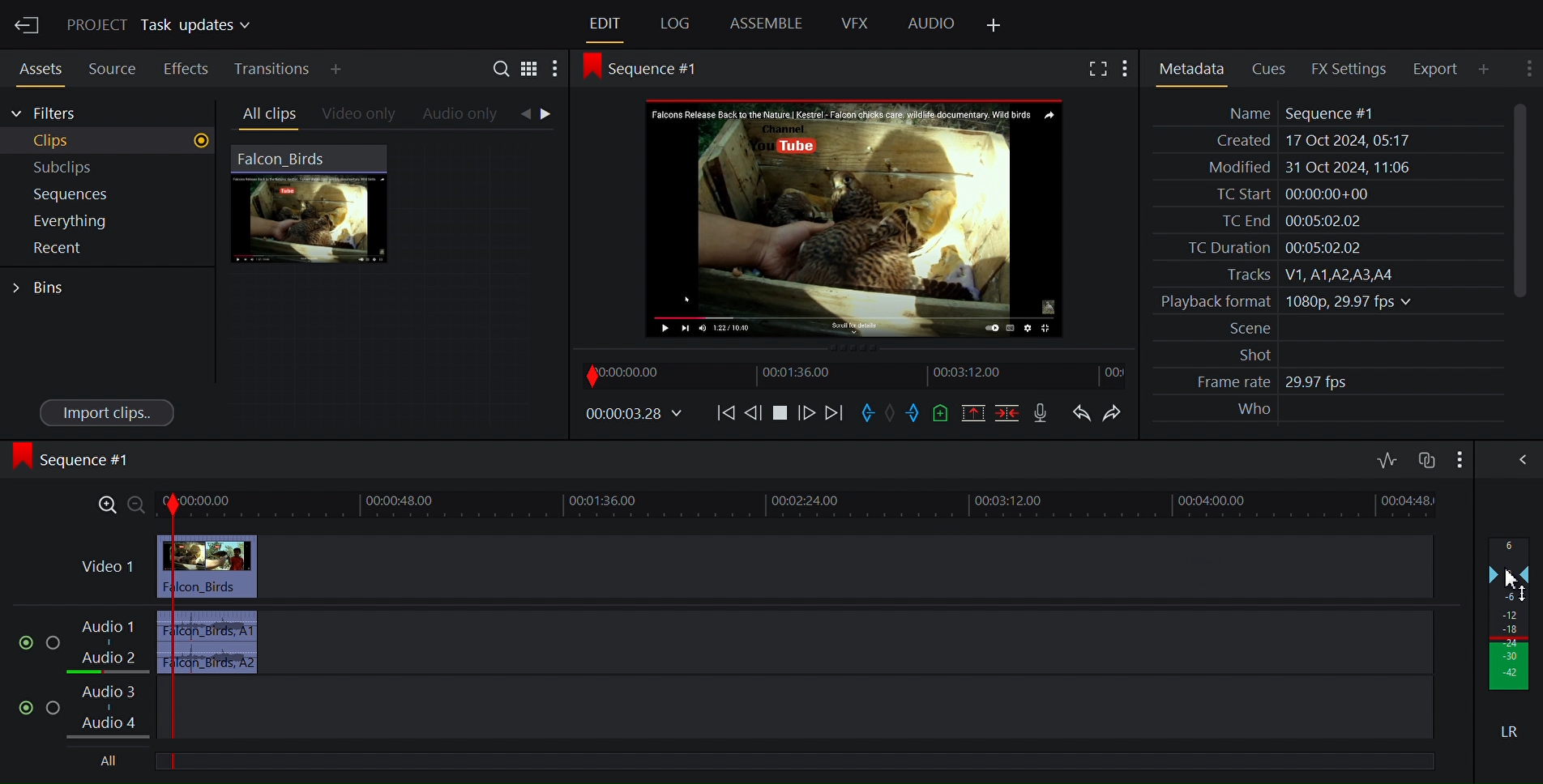  I want to click on Add Panel, so click(1483, 68).